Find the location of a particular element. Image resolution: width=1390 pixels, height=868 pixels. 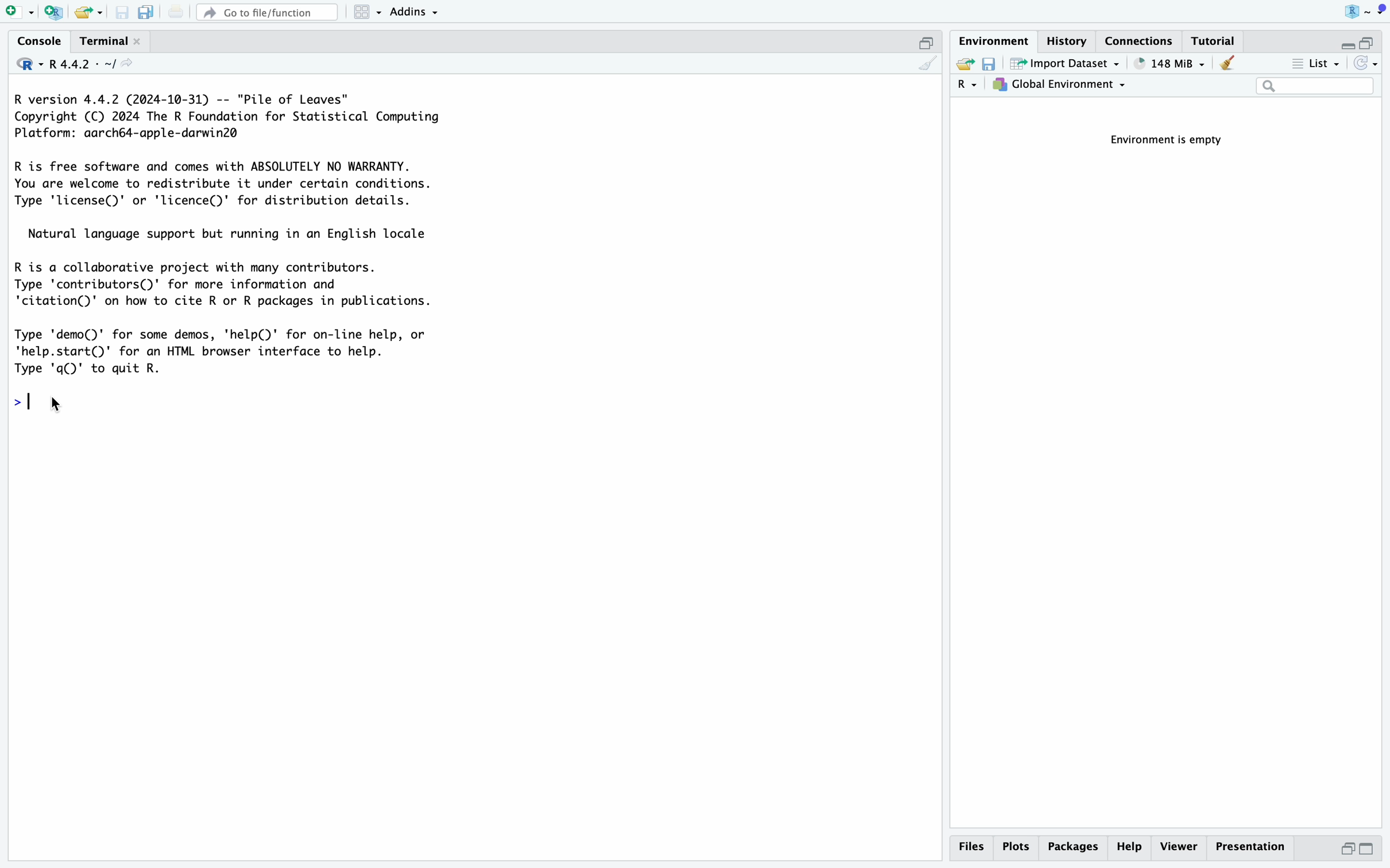

open an existing file is located at coordinates (89, 12).